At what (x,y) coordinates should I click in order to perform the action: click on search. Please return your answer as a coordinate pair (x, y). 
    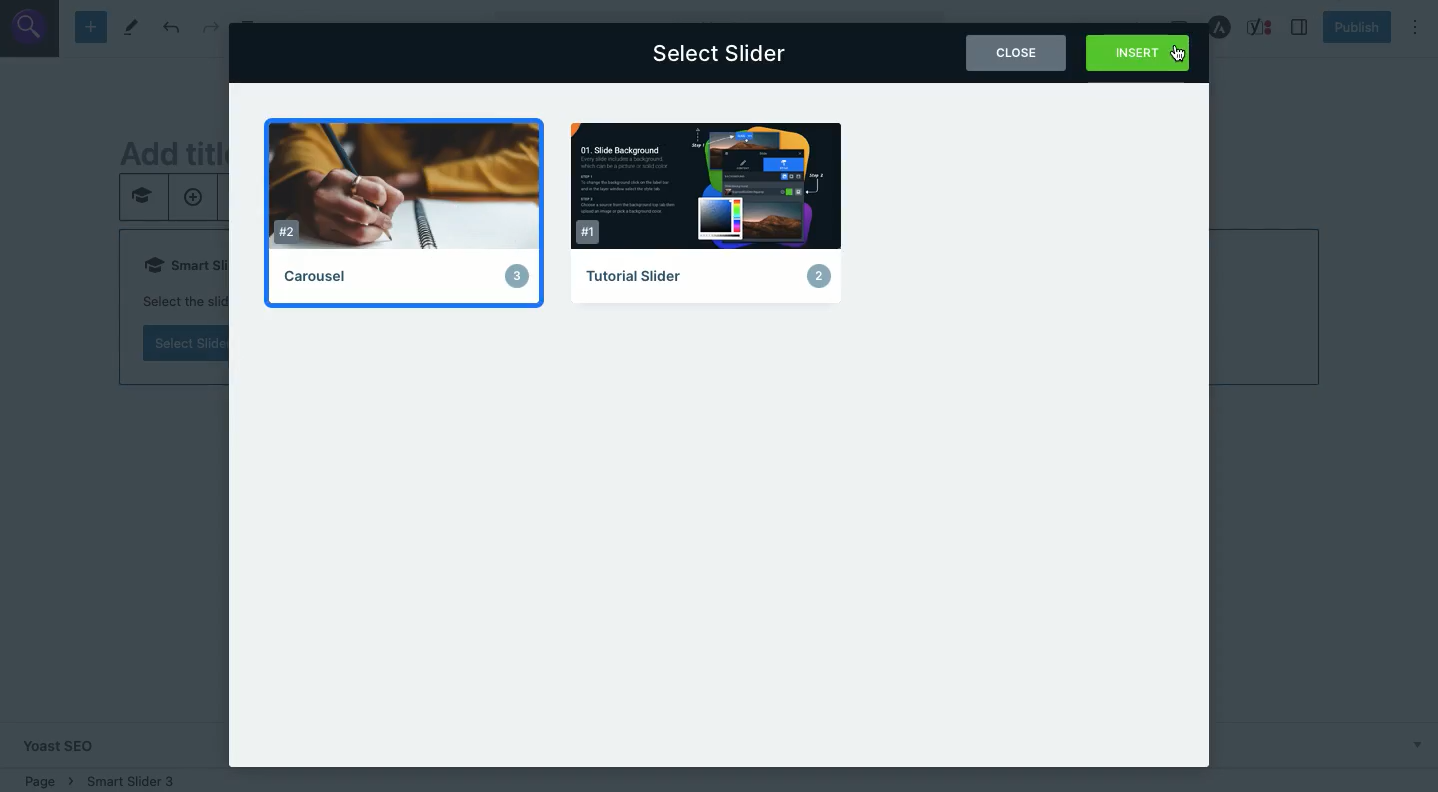
    Looking at the image, I should click on (31, 27).